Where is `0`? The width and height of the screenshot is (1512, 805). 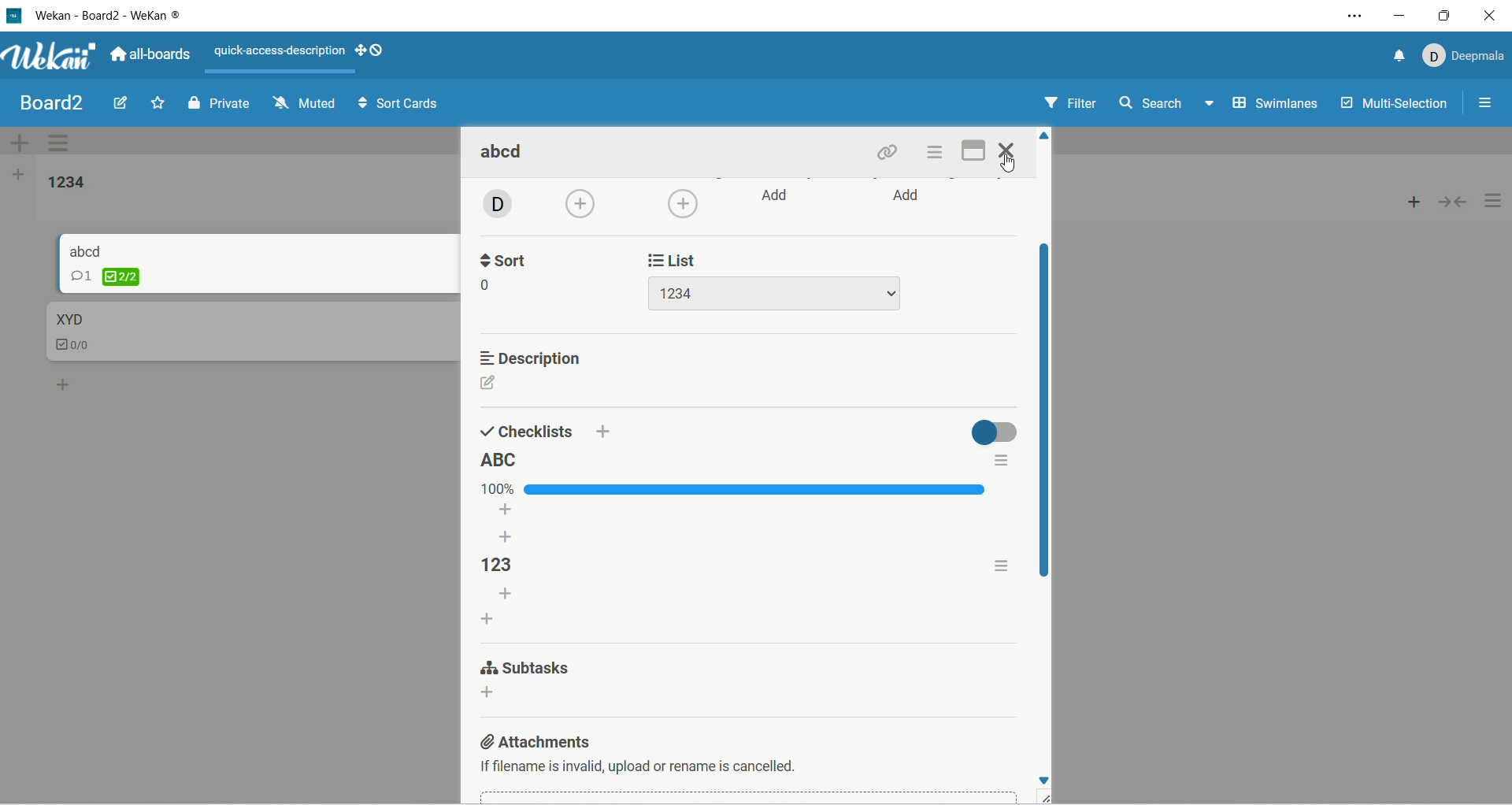
0 is located at coordinates (489, 286).